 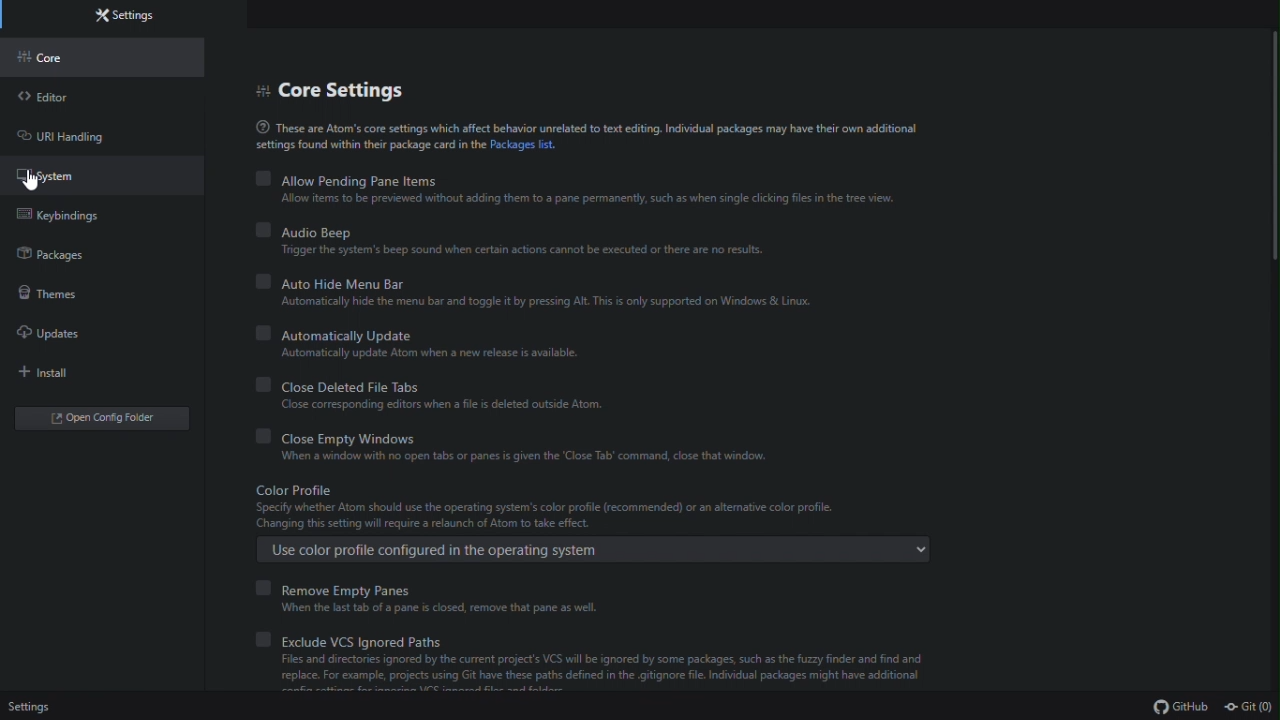 What do you see at coordinates (588, 506) in the screenshot?
I see `Color Profile
Specify whether Atom should use the operating system's color profile (recommended) or an altemative color profile
Changing this setting will require a relaunch of Atom to take effect.` at bounding box center [588, 506].